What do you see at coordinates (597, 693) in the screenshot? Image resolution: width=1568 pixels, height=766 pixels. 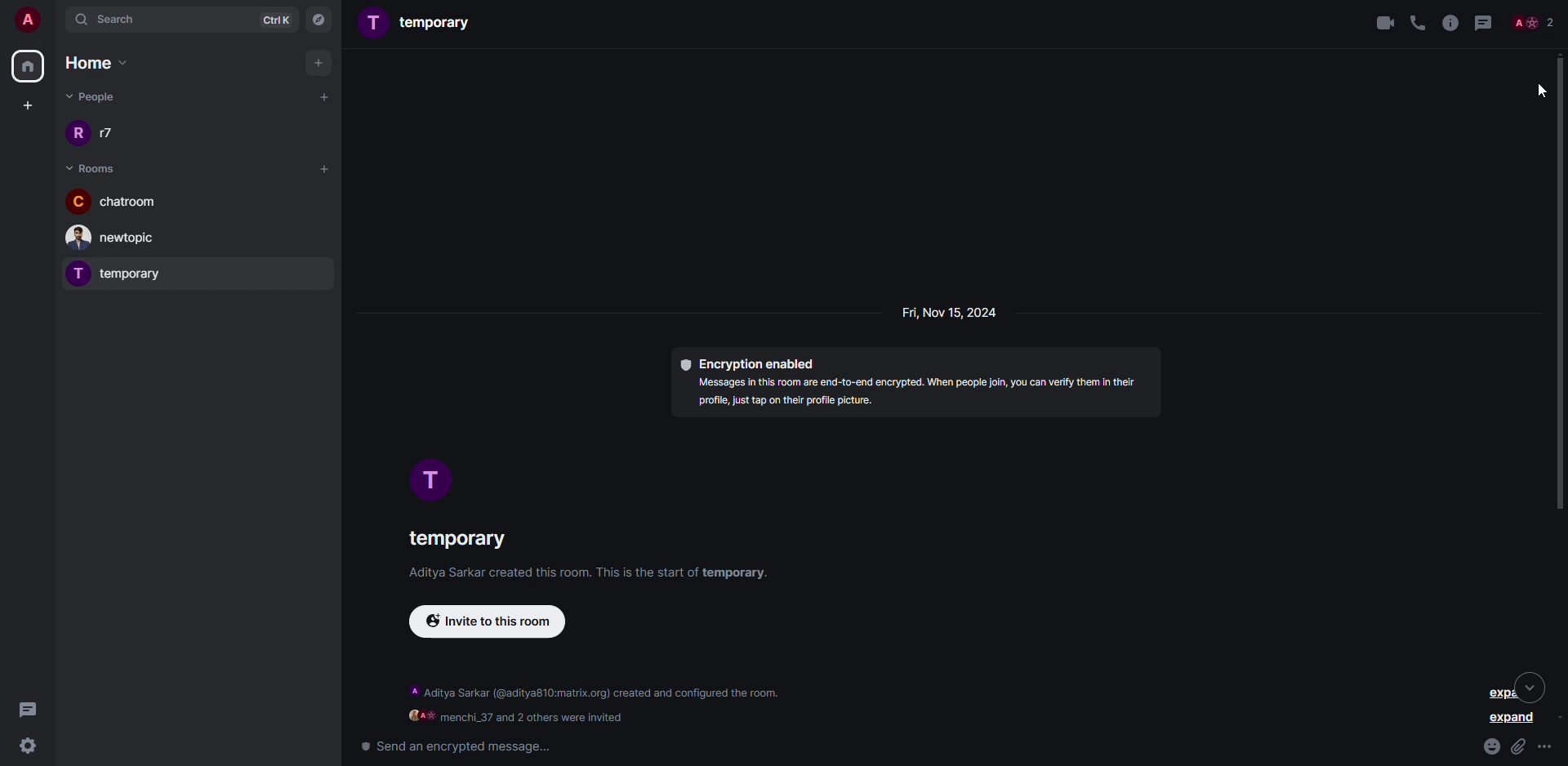 I see `Aditya Sarkar (@aditya810:matrix.org) created and configured this room.` at bounding box center [597, 693].